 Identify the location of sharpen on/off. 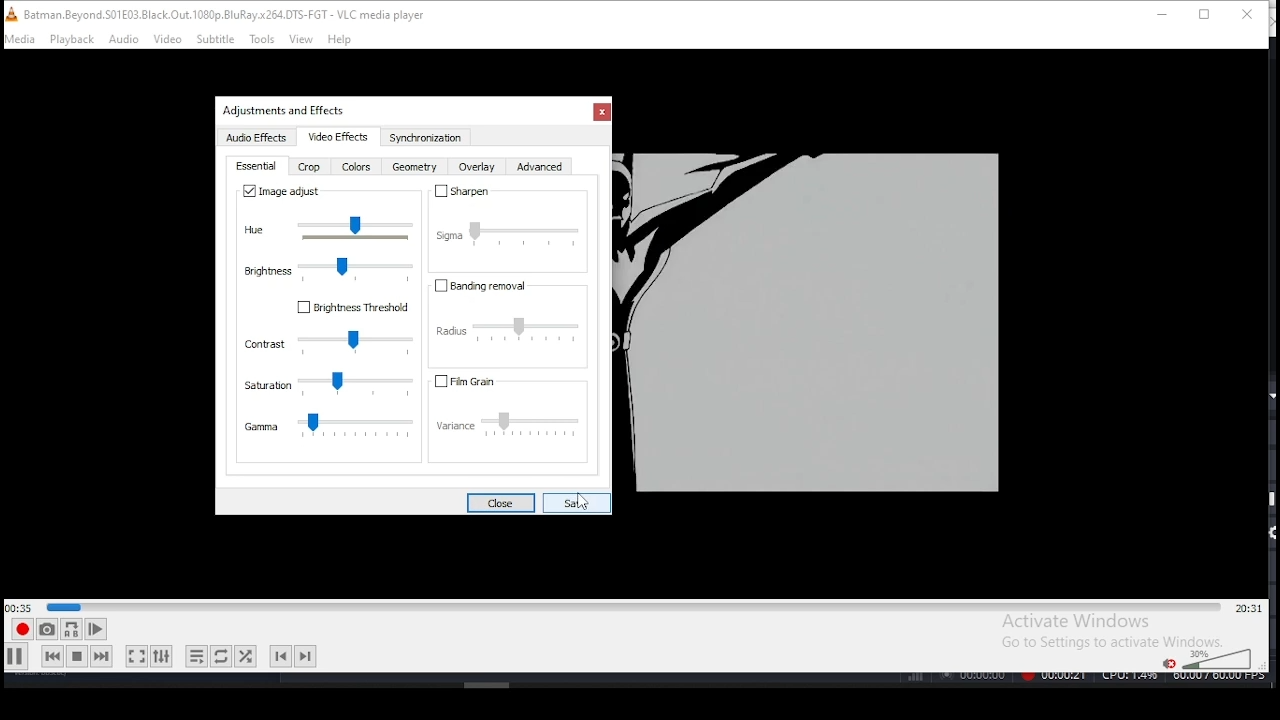
(460, 191).